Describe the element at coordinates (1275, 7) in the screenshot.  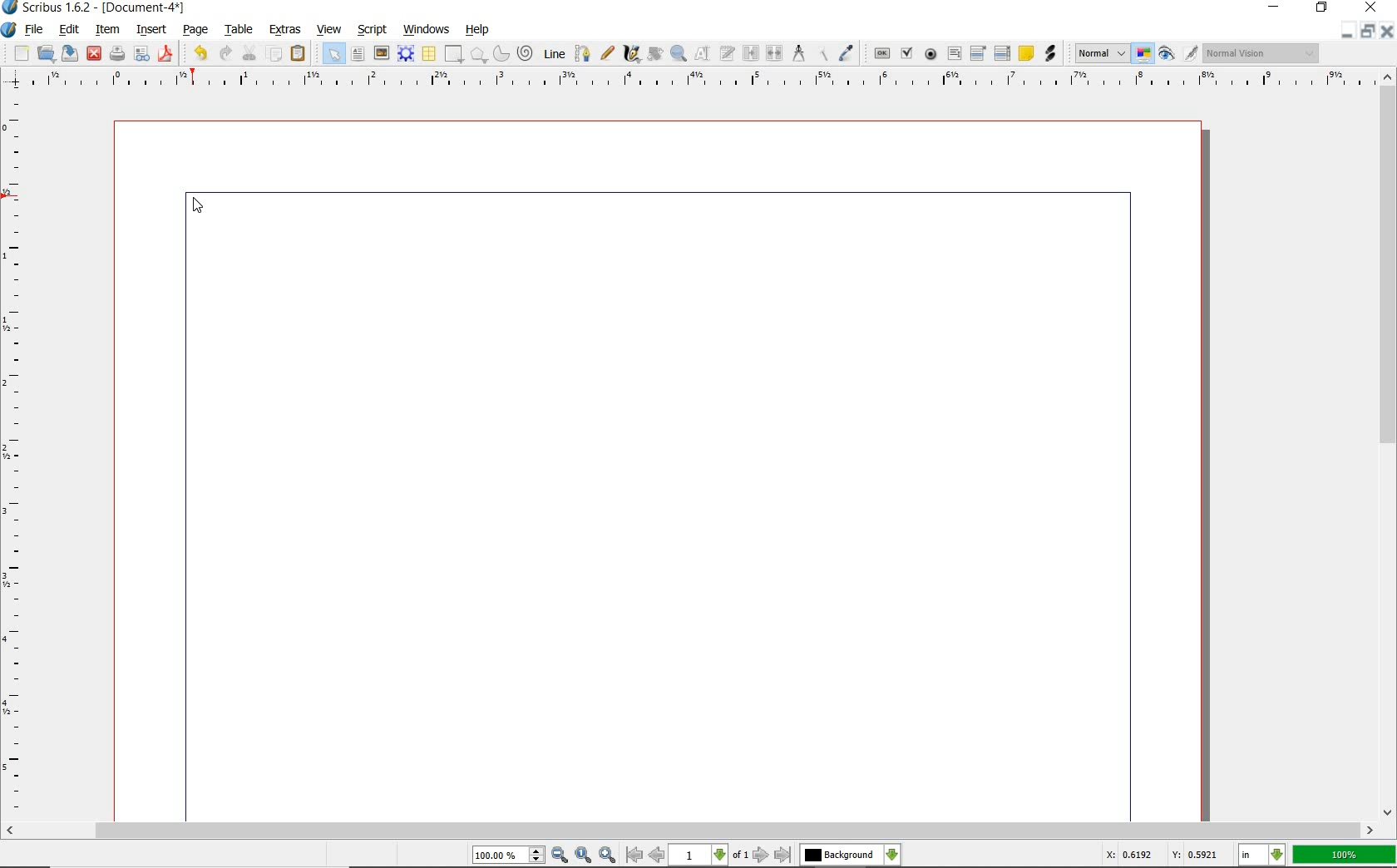
I see `minimize` at that location.